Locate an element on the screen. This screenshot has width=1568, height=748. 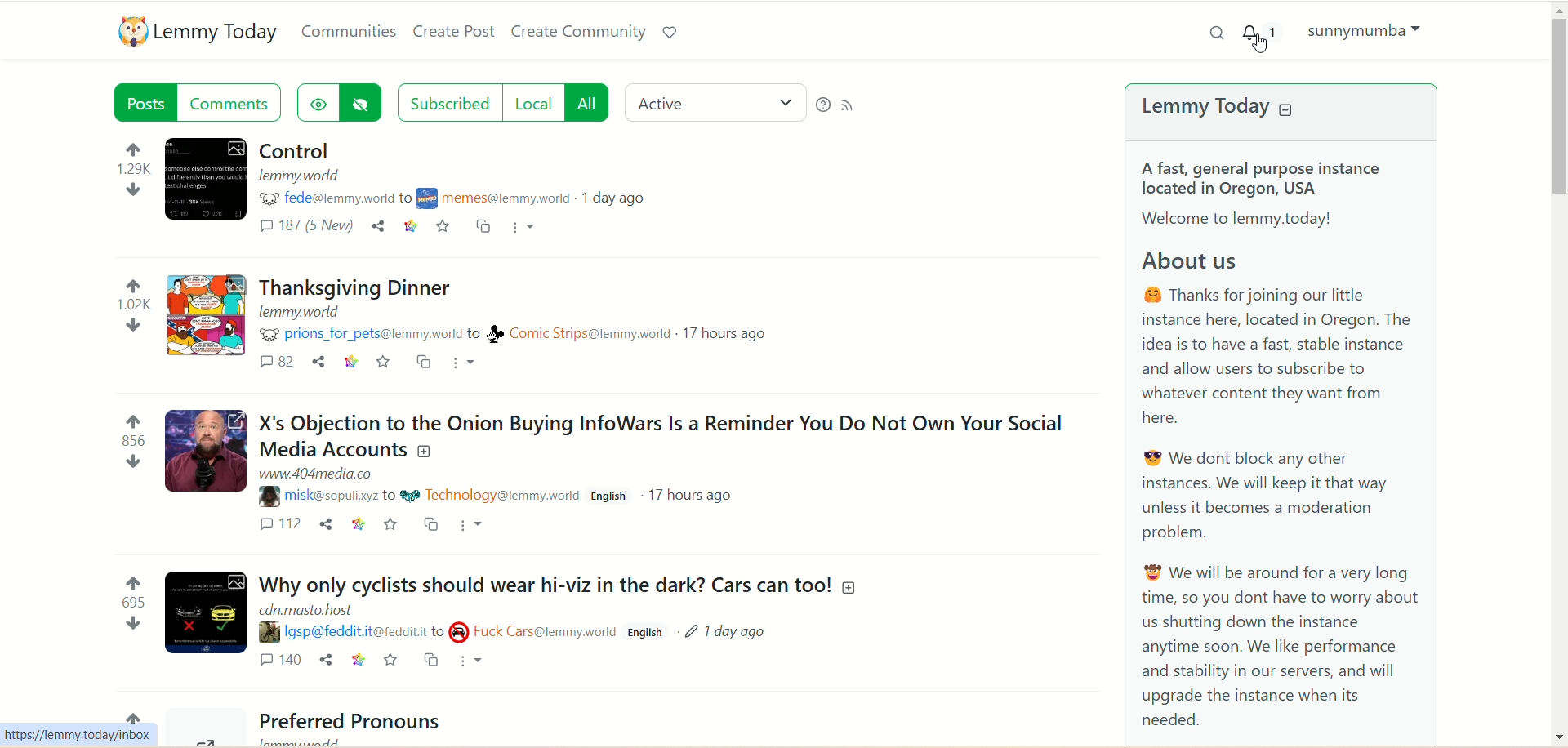
vote numbers is located at coordinates (123, 444).